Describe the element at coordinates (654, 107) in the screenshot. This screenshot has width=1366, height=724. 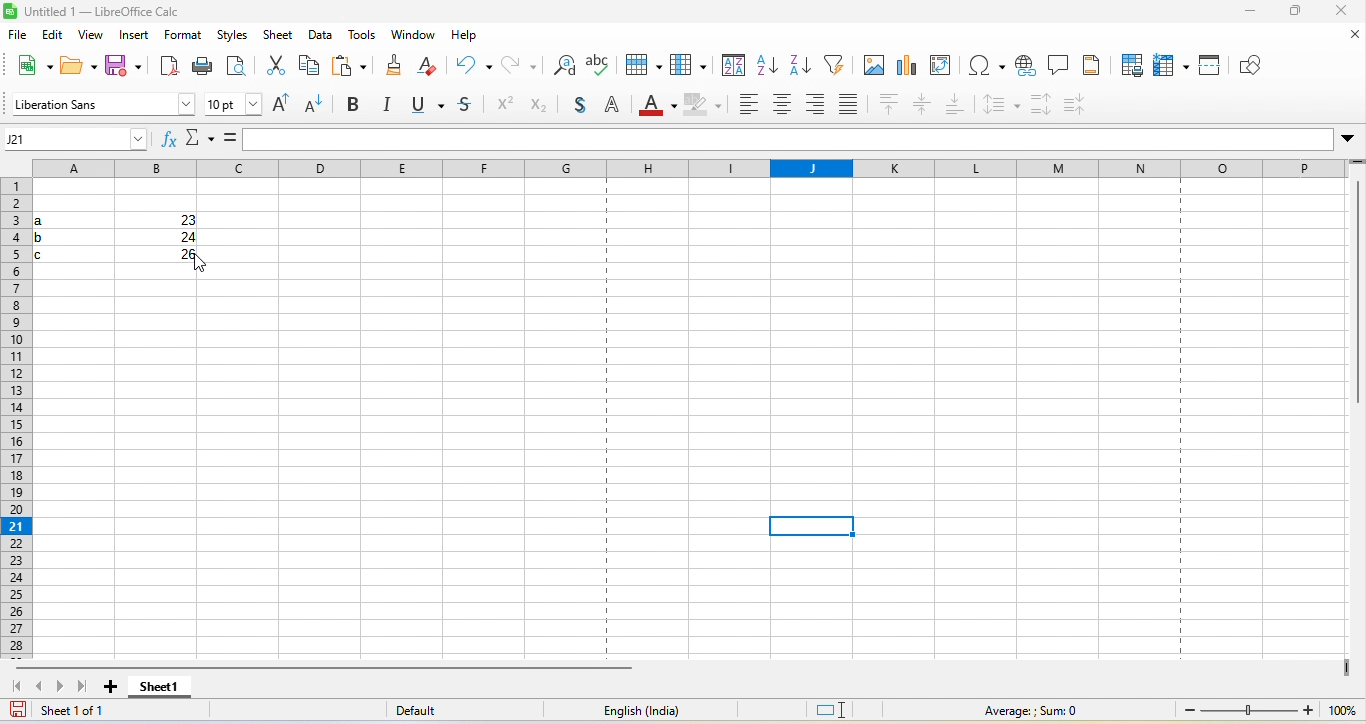
I see `font color` at that location.